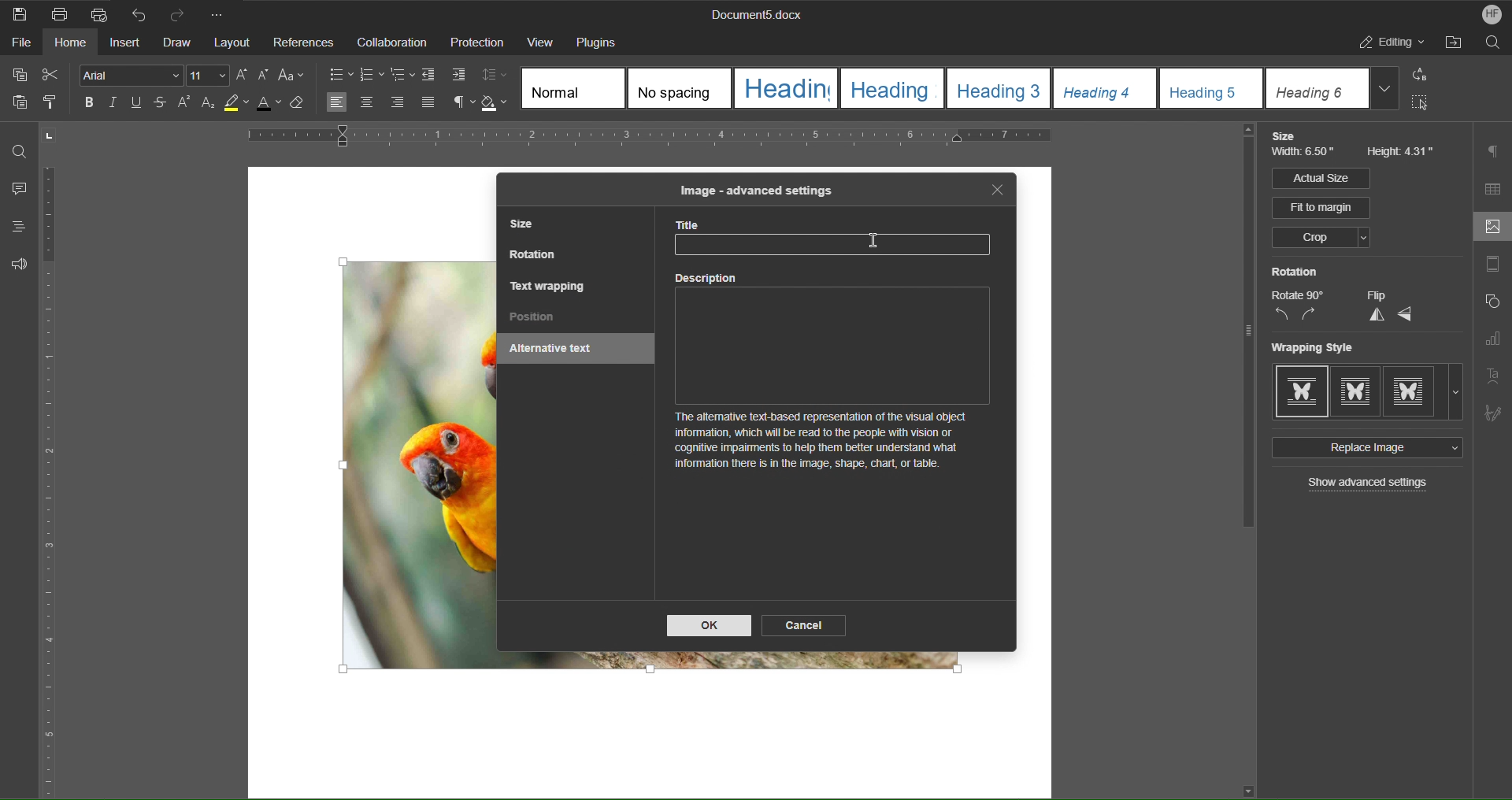 This screenshot has width=1512, height=800. What do you see at coordinates (1281, 315) in the screenshot?
I see `Rotate CCW` at bounding box center [1281, 315].